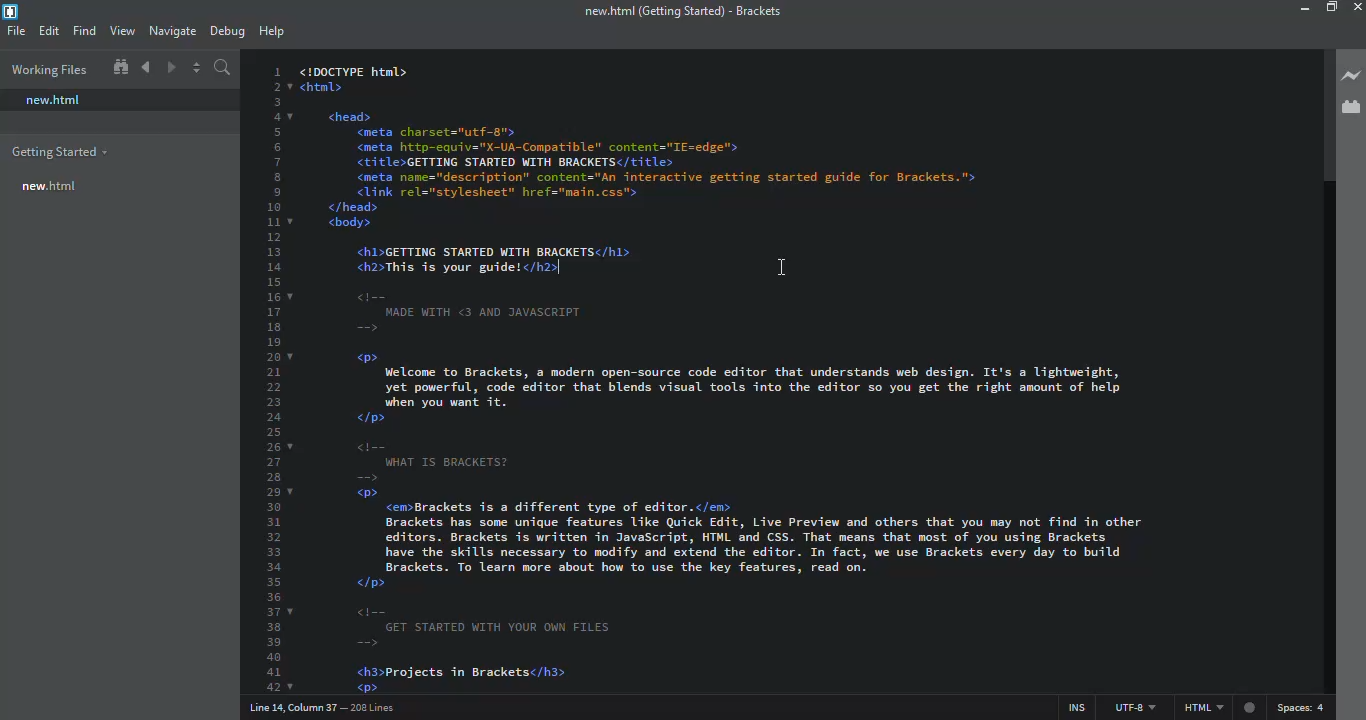  What do you see at coordinates (124, 30) in the screenshot?
I see `view` at bounding box center [124, 30].